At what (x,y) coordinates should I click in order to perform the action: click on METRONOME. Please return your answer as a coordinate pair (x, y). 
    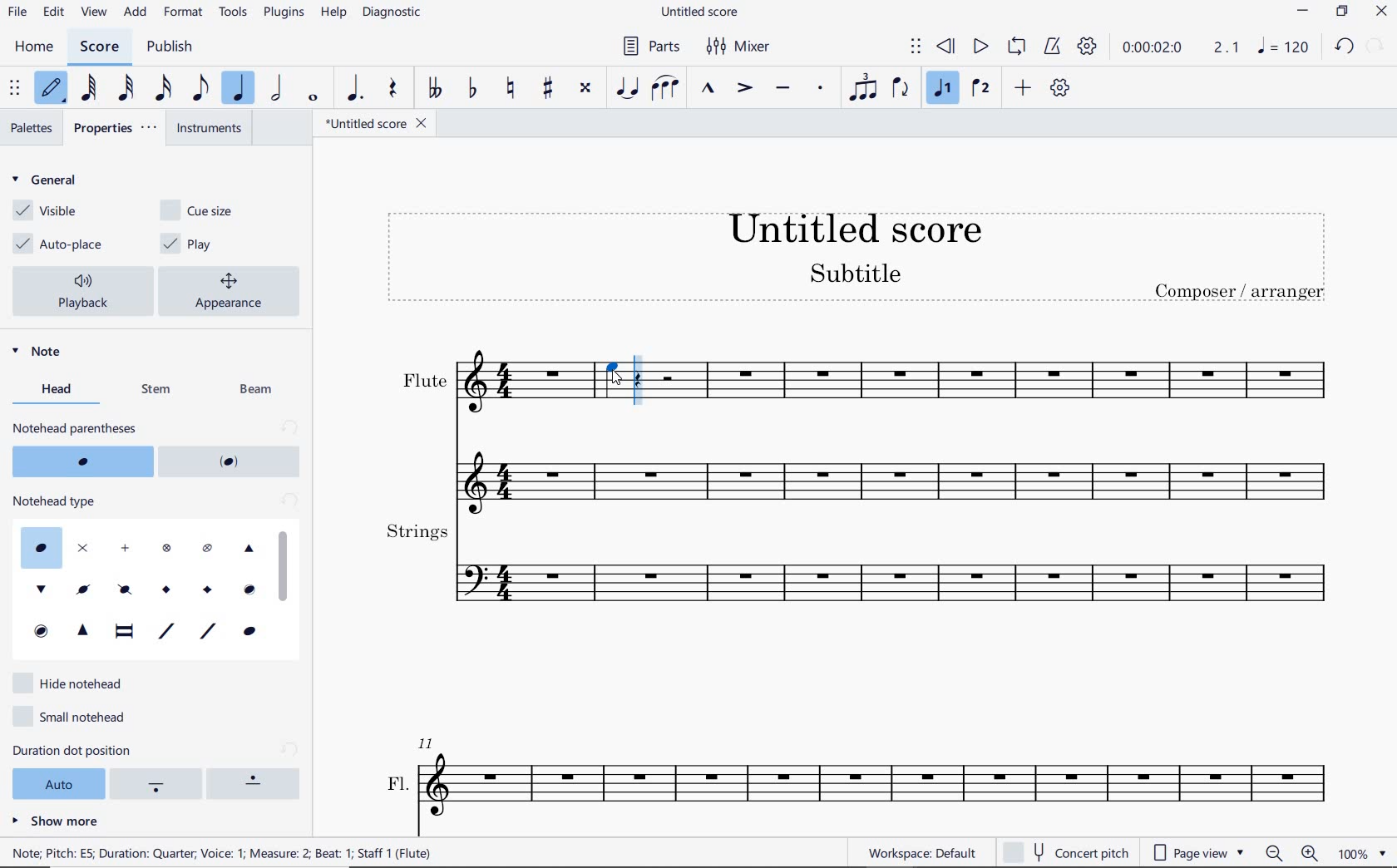
    Looking at the image, I should click on (1055, 48).